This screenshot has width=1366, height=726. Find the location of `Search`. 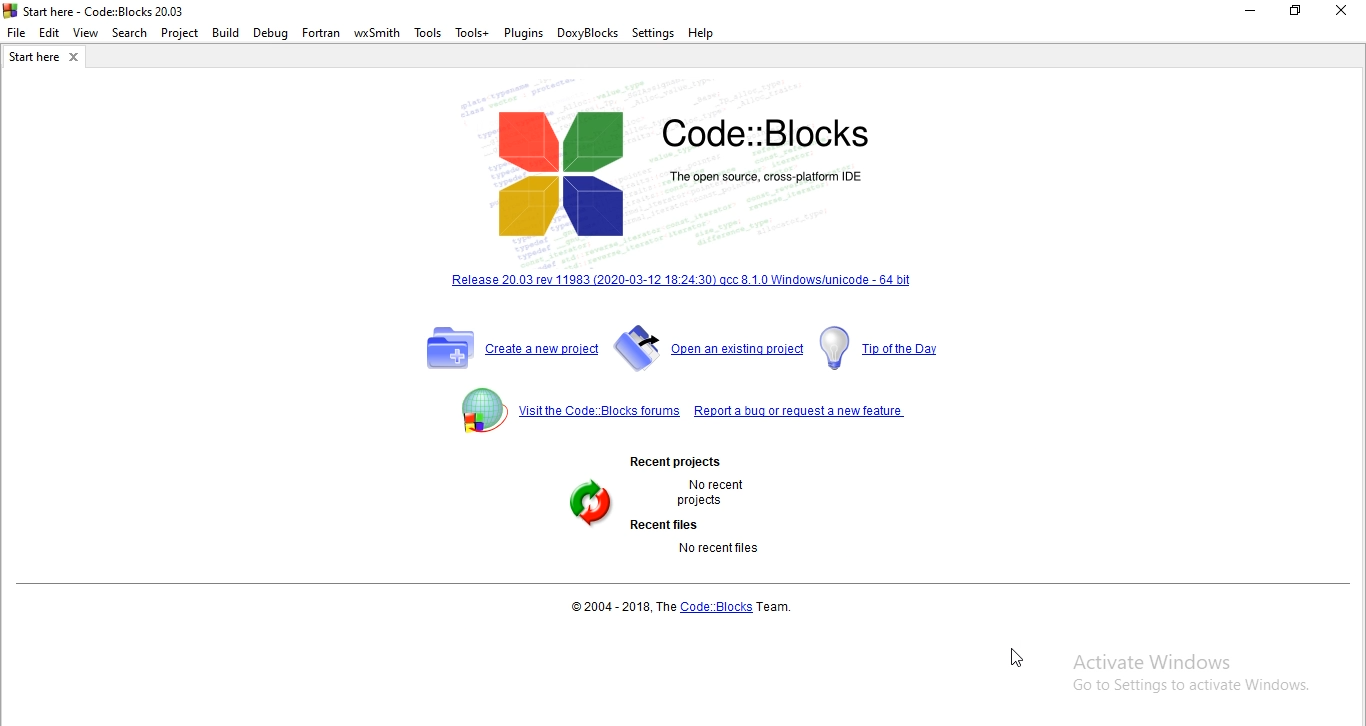

Search is located at coordinates (131, 34).